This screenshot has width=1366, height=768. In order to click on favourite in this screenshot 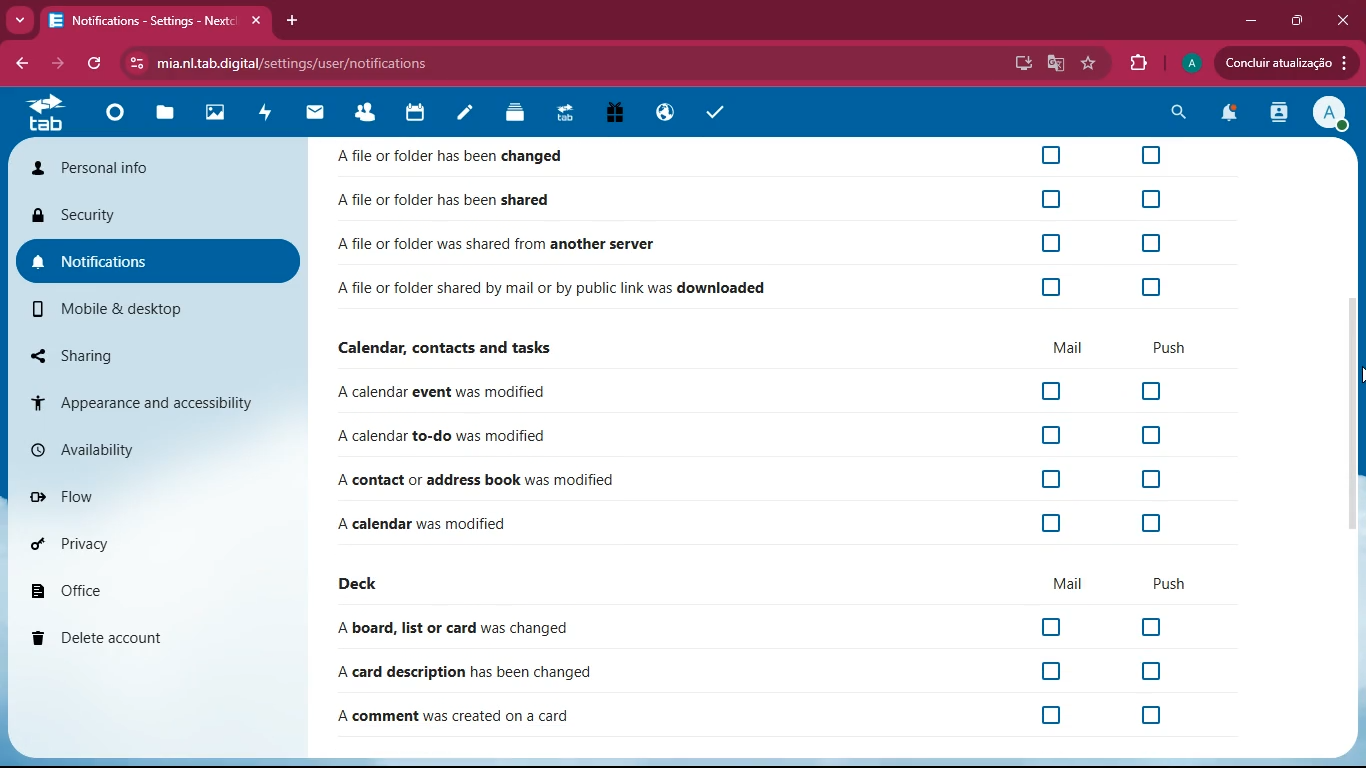, I will do `click(1088, 63)`.